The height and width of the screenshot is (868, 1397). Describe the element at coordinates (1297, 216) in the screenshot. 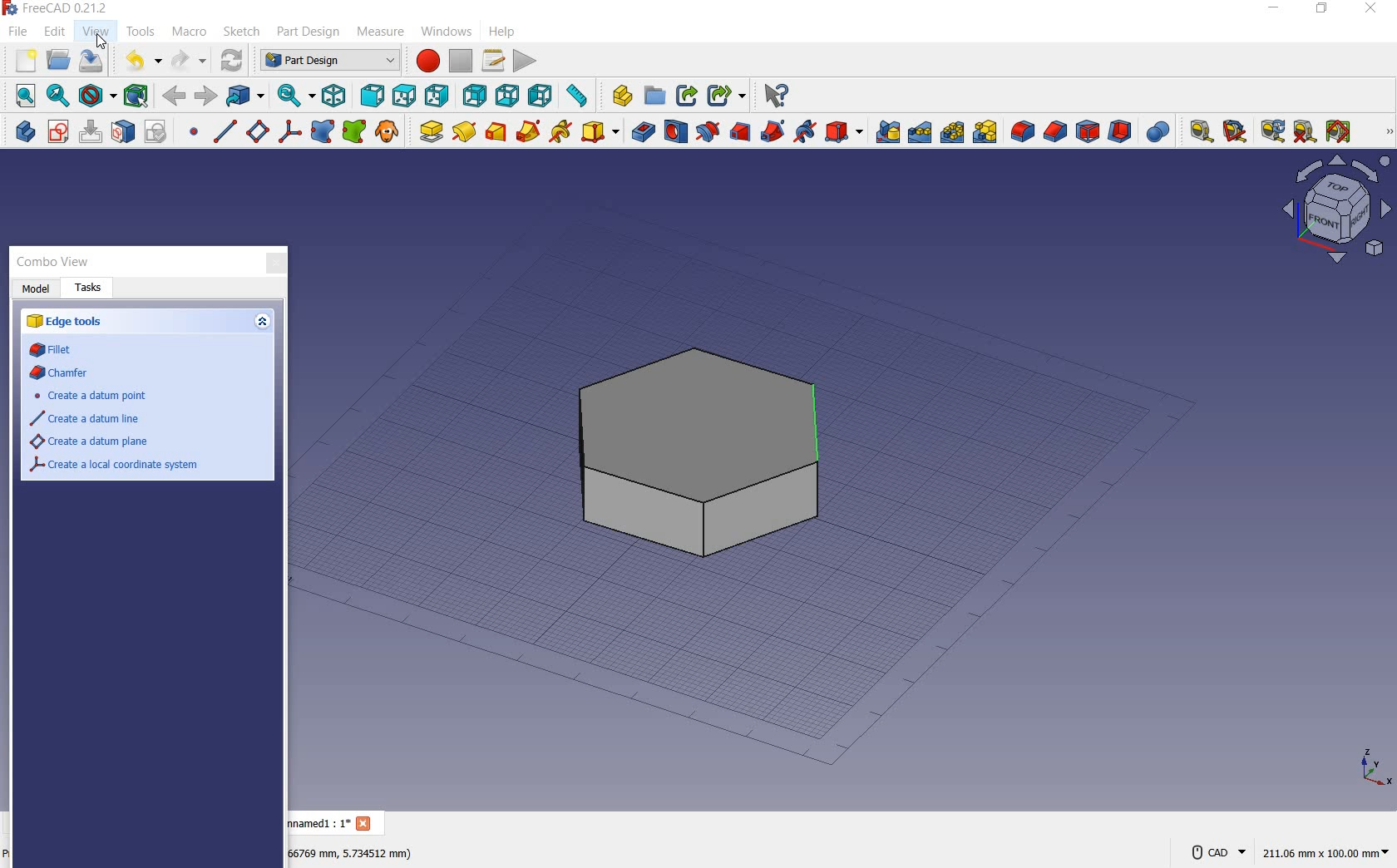

I see `Workbench layout` at that location.